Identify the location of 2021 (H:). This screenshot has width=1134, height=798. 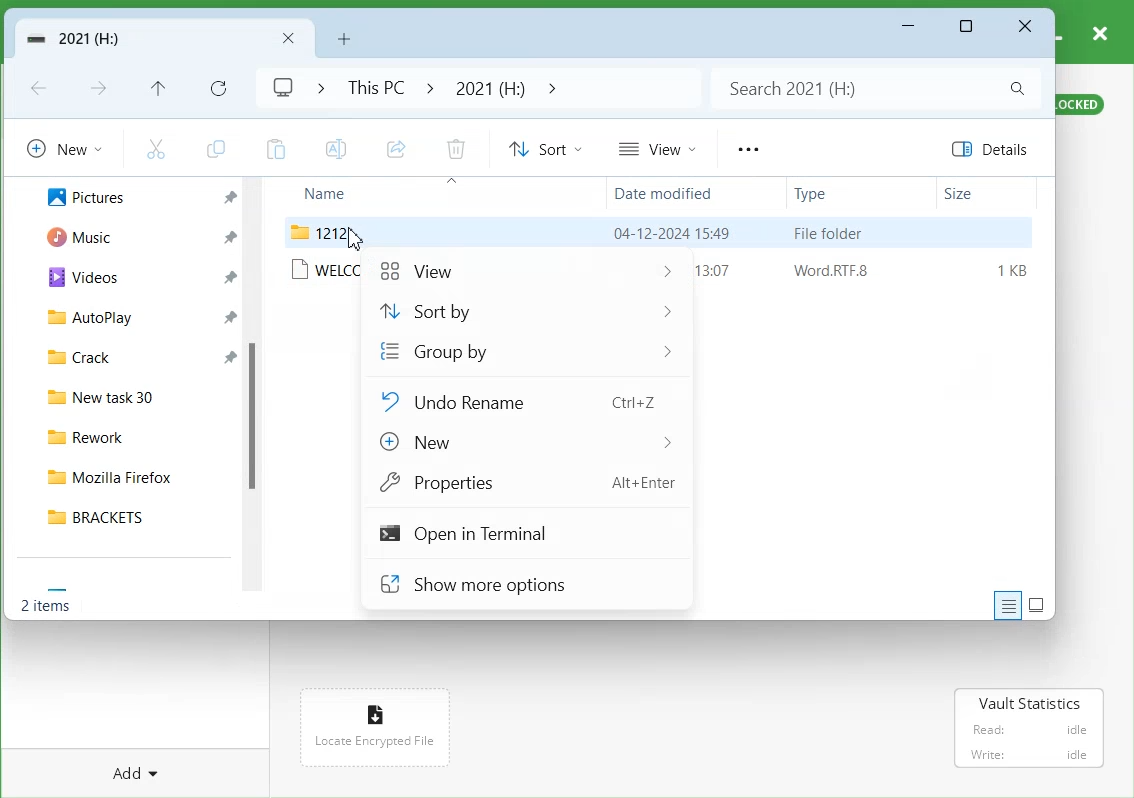
(489, 87).